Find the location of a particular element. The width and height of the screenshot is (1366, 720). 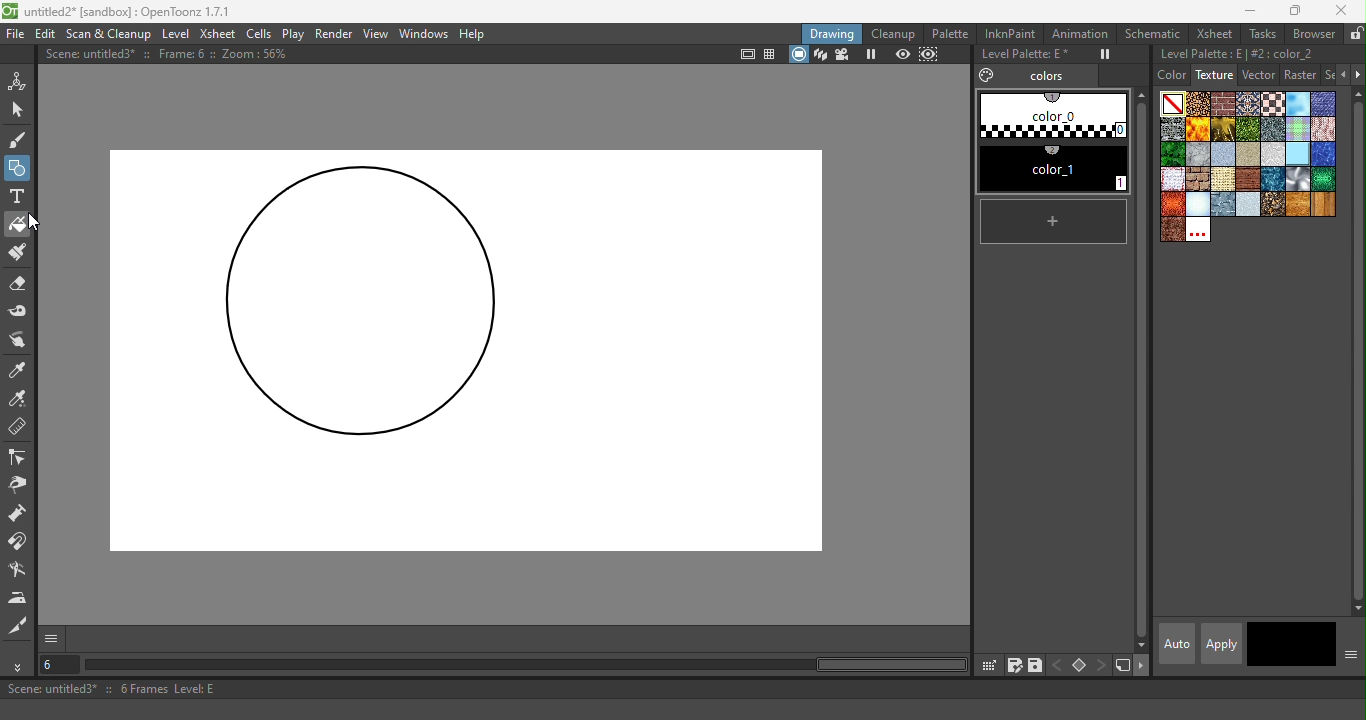

Cleanup is located at coordinates (894, 33).